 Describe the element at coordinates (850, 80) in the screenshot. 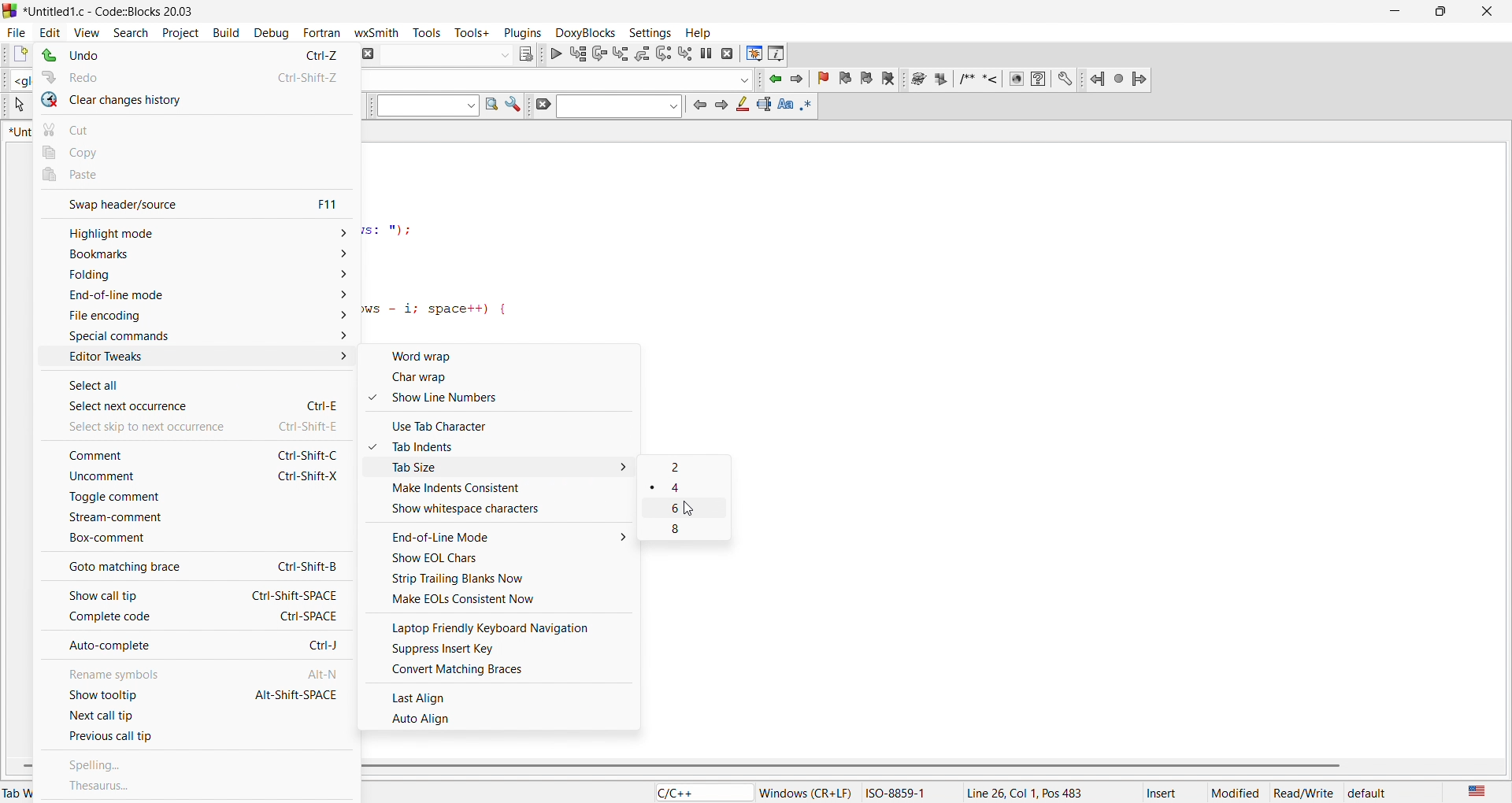

I see `bookmark icon` at that location.